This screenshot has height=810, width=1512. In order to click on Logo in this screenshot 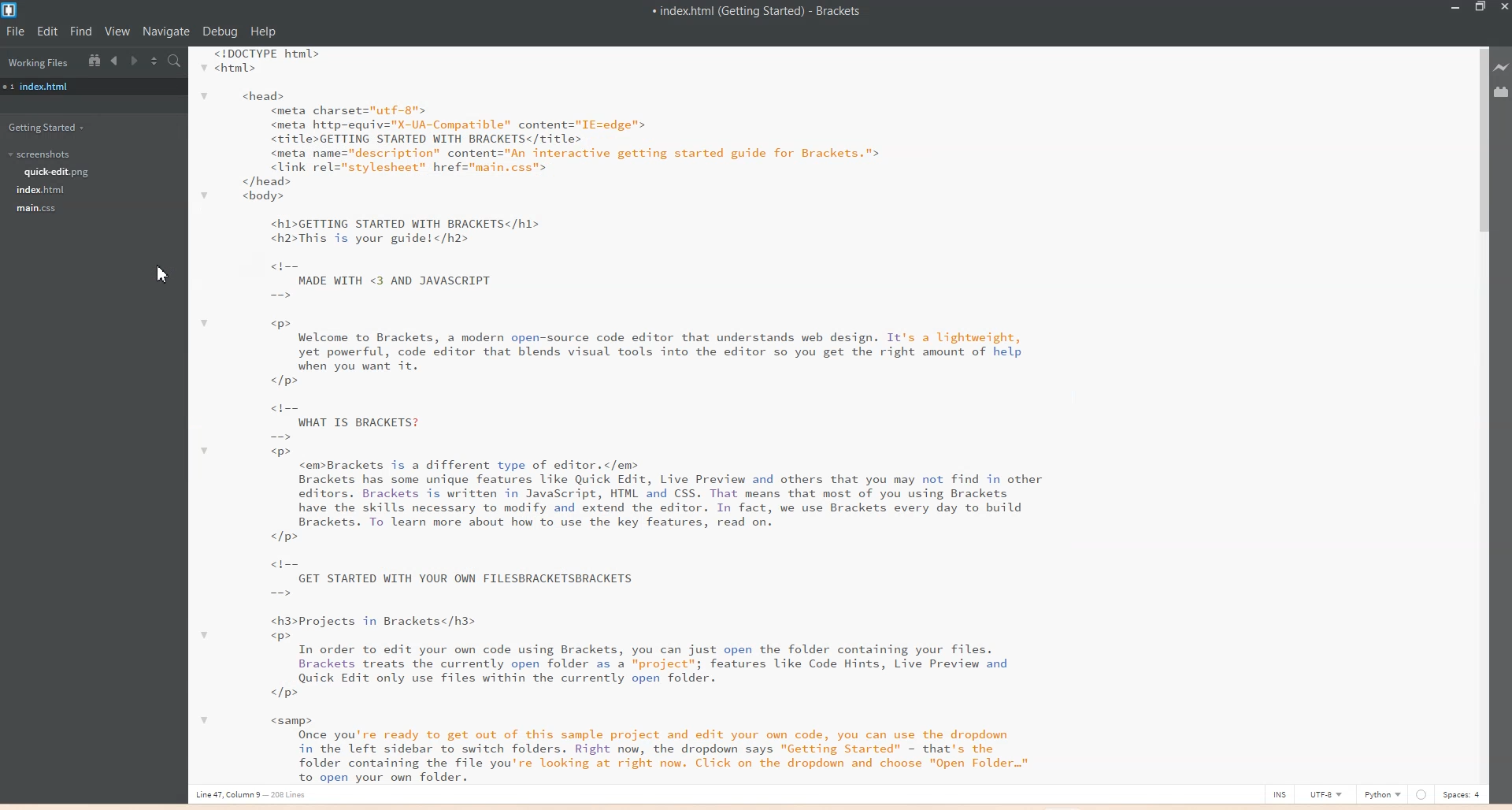, I will do `click(10, 11)`.